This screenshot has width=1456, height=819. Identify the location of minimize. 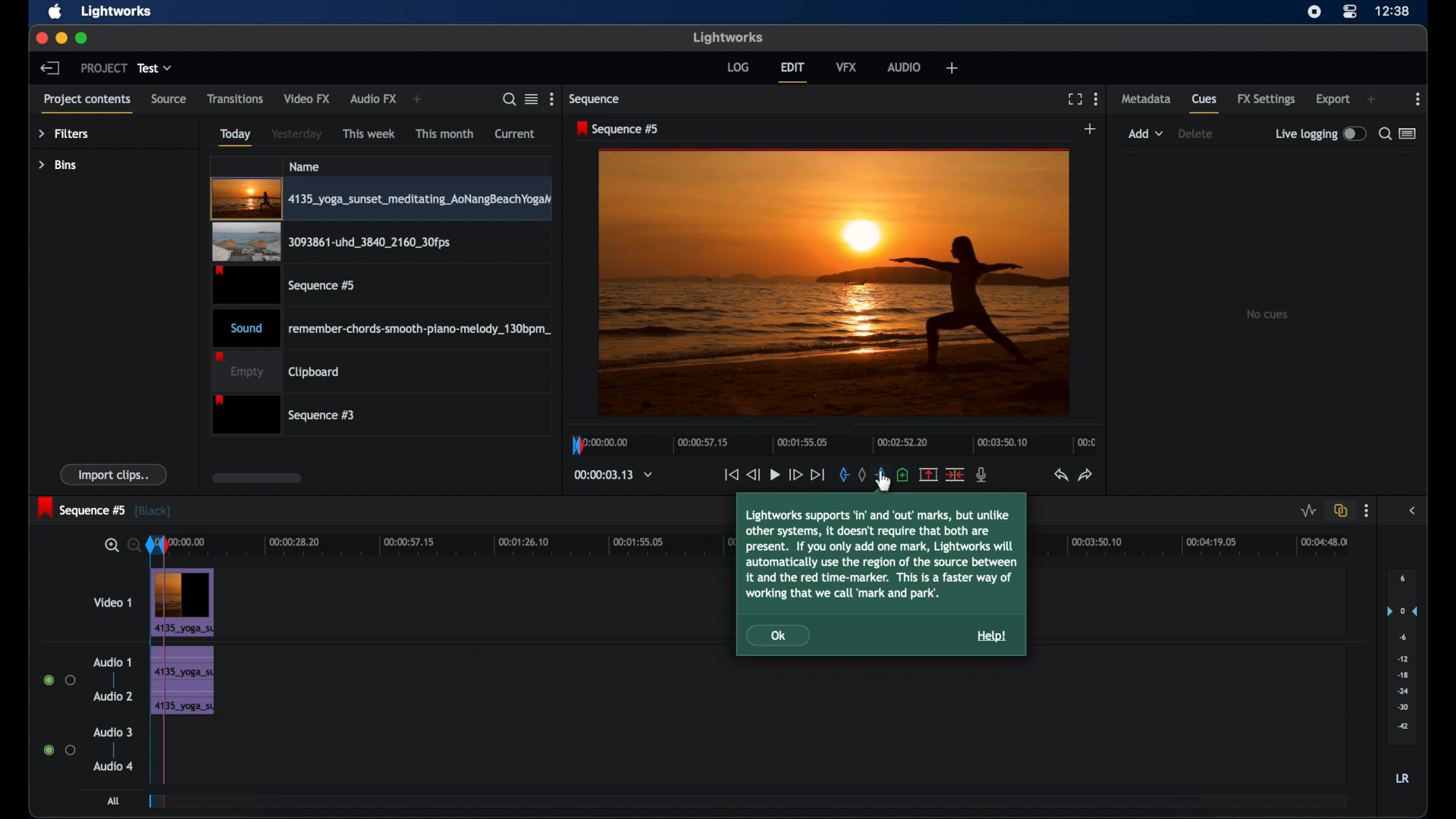
(62, 38).